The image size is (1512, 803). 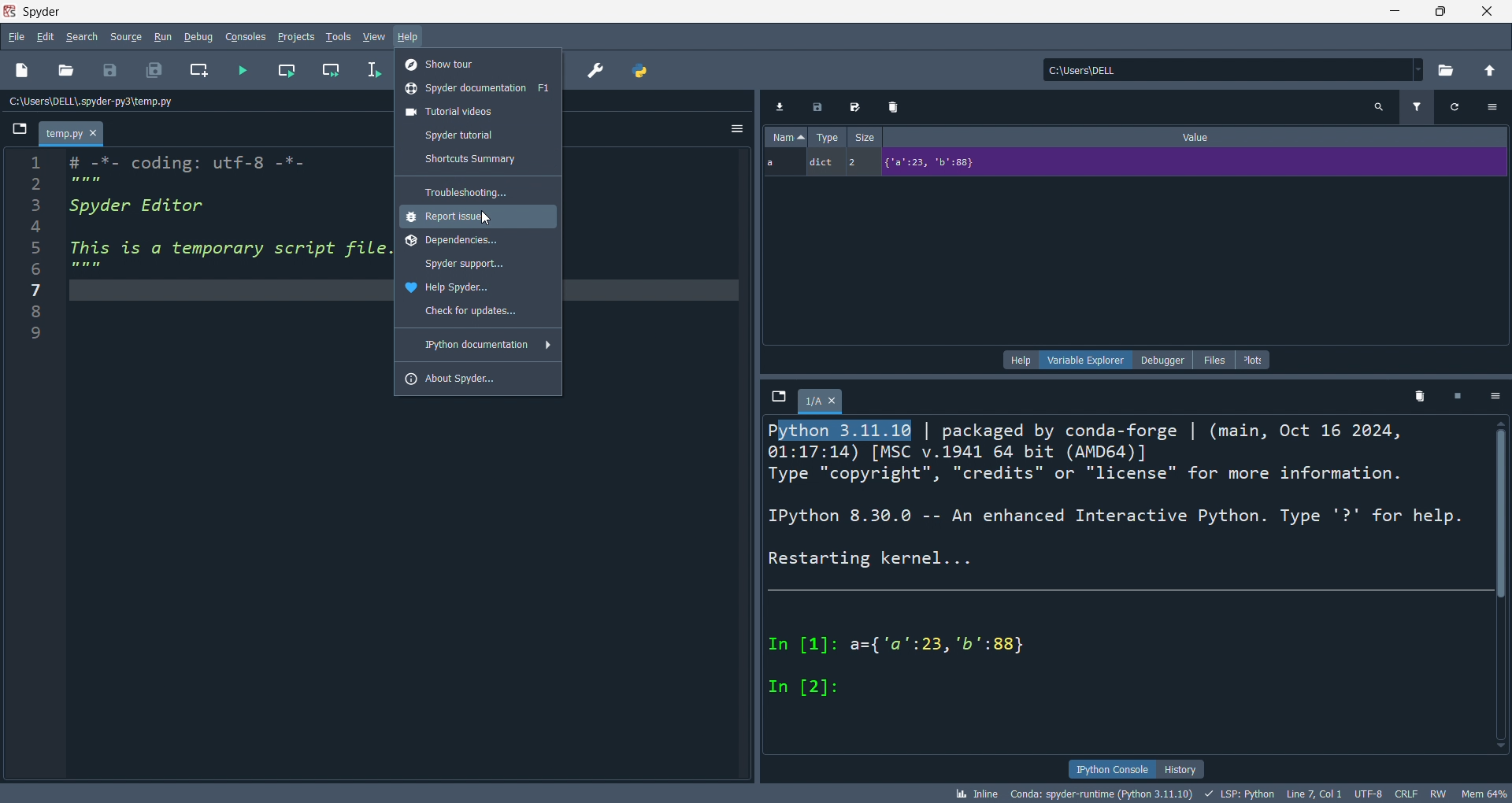 What do you see at coordinates (1137, 164) in the screenshot?
I see `a dict 2 {"2":23, 'b':88}` at bounding box center [1137, 164].